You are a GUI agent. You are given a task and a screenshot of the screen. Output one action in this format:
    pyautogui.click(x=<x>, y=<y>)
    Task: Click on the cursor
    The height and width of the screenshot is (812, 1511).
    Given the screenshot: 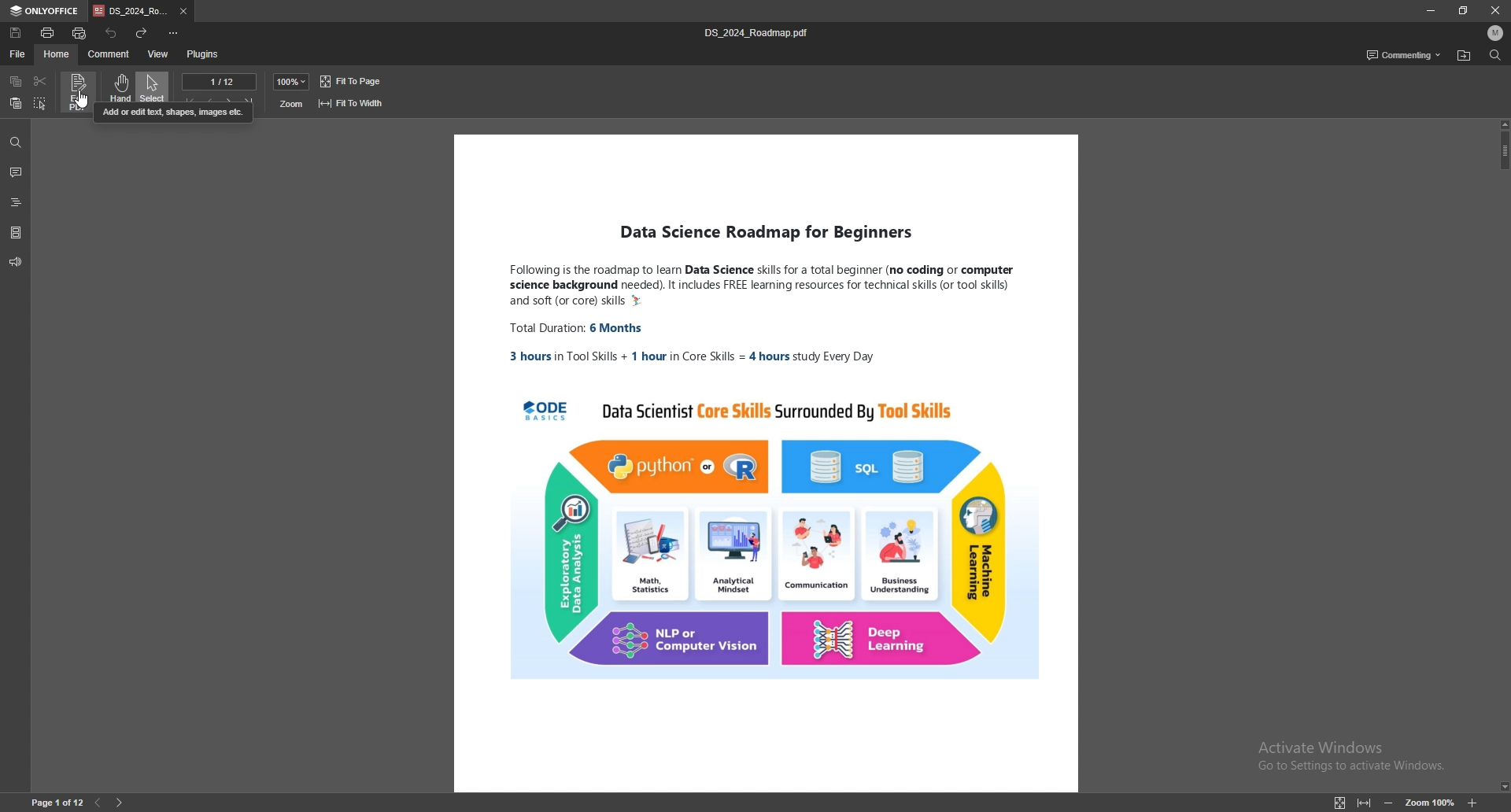 What is the action you would take?
    pyautogui.click(x=86, y=101)
    